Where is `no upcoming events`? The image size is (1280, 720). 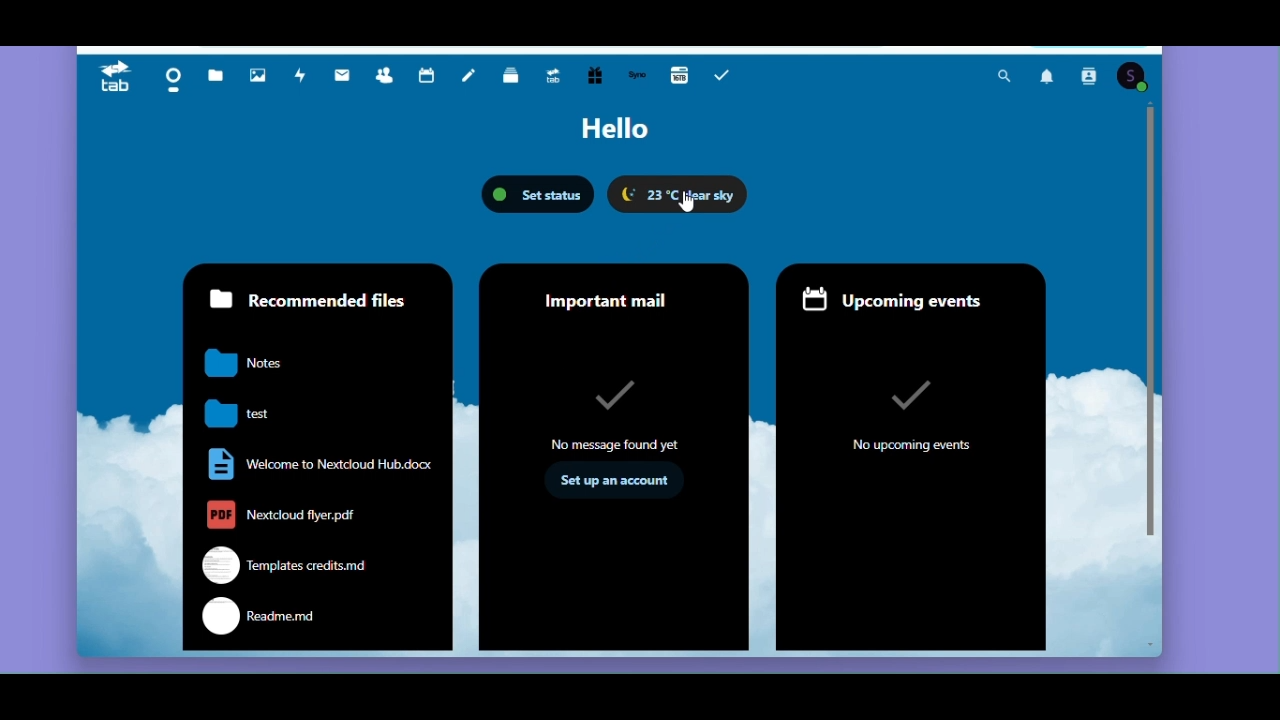
no upcoming events is located at coordinates (910, 409).